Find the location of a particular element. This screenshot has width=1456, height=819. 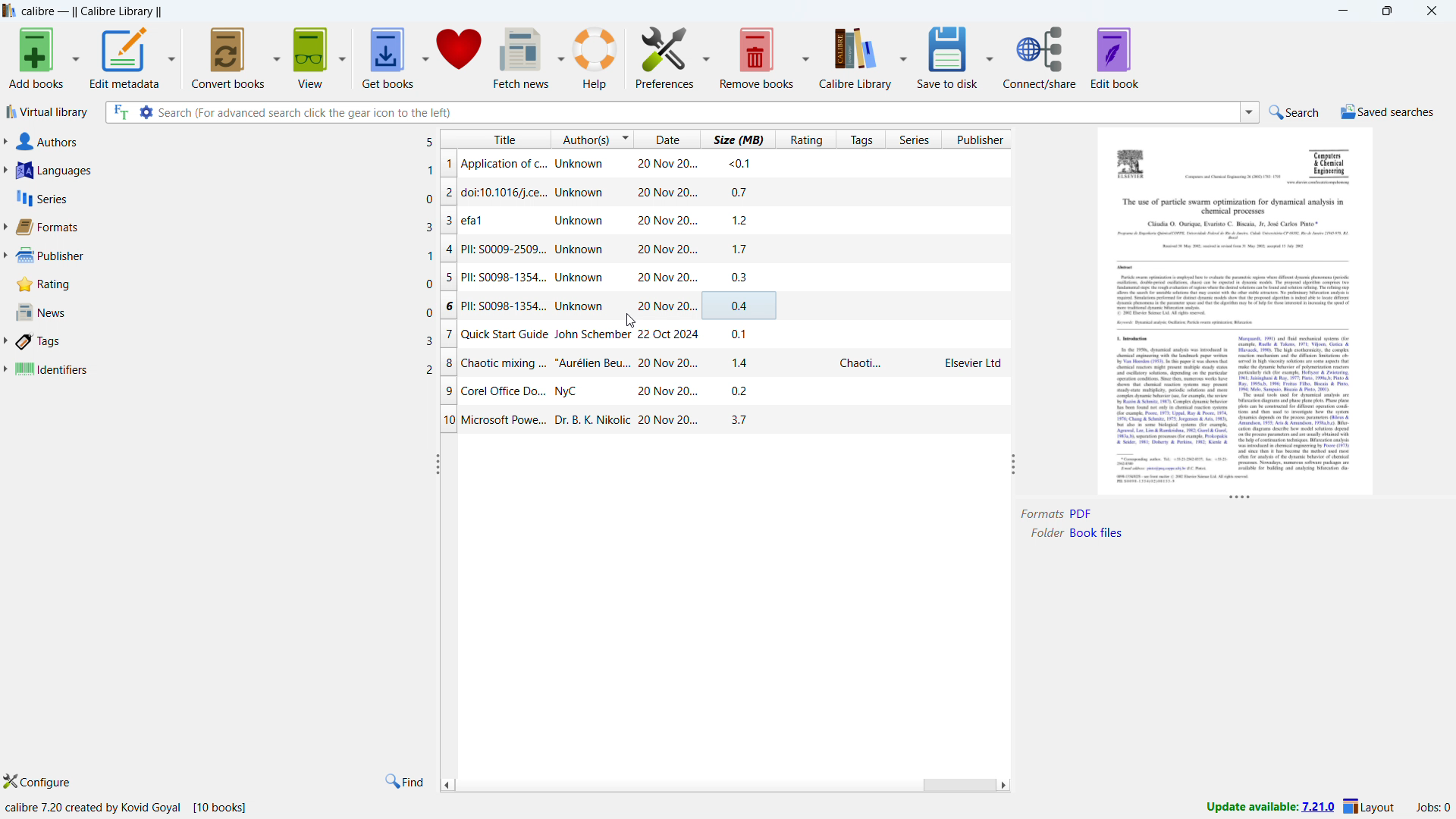

calibre 7.20 created by kovid Goyal is located at coordinates (93, 809).